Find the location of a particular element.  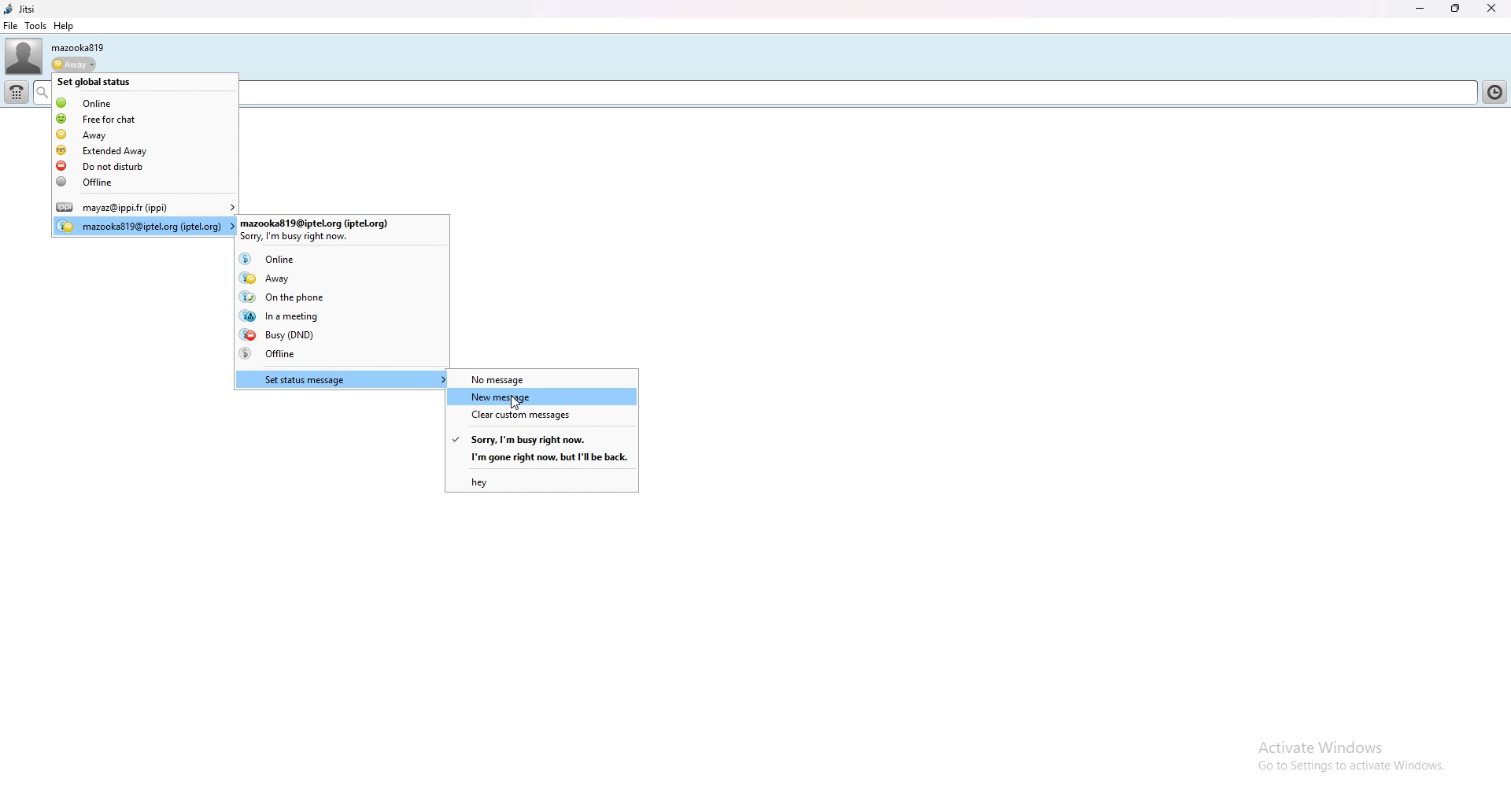

no message is located at coordinates (543, 378).